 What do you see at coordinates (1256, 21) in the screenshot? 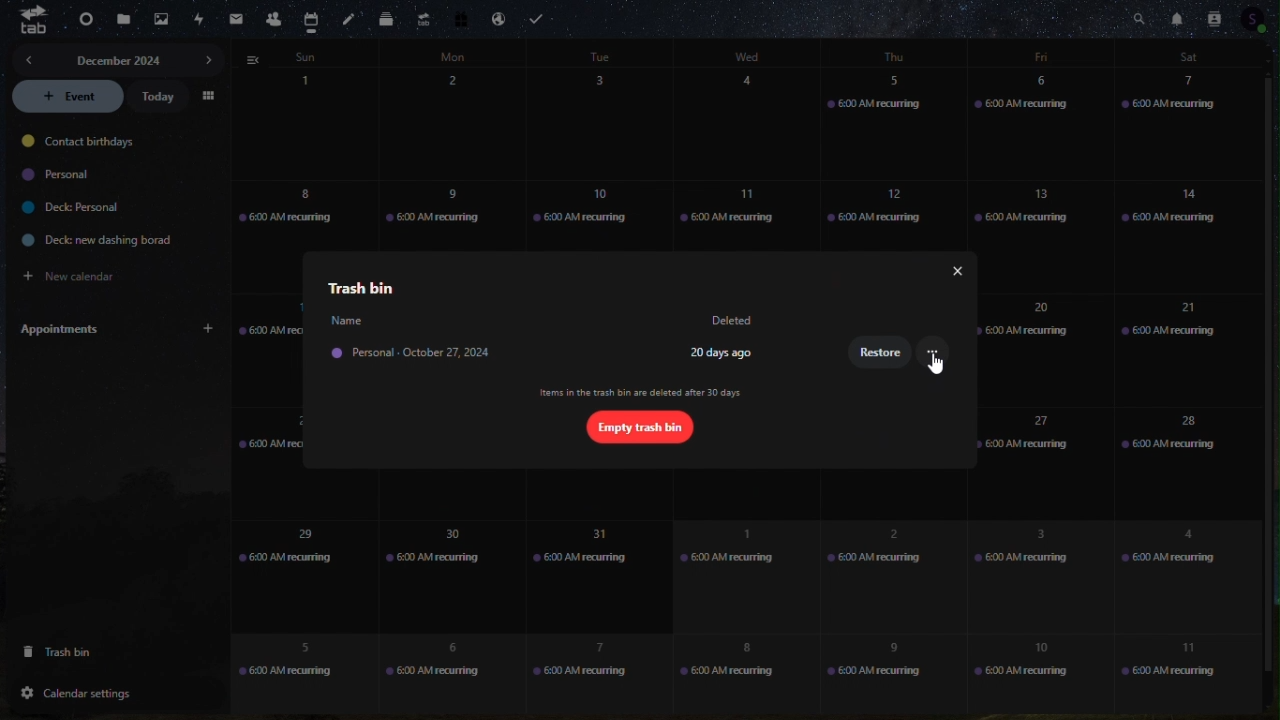
I see `Account icon contacts` at bounding box center [1256, 21].